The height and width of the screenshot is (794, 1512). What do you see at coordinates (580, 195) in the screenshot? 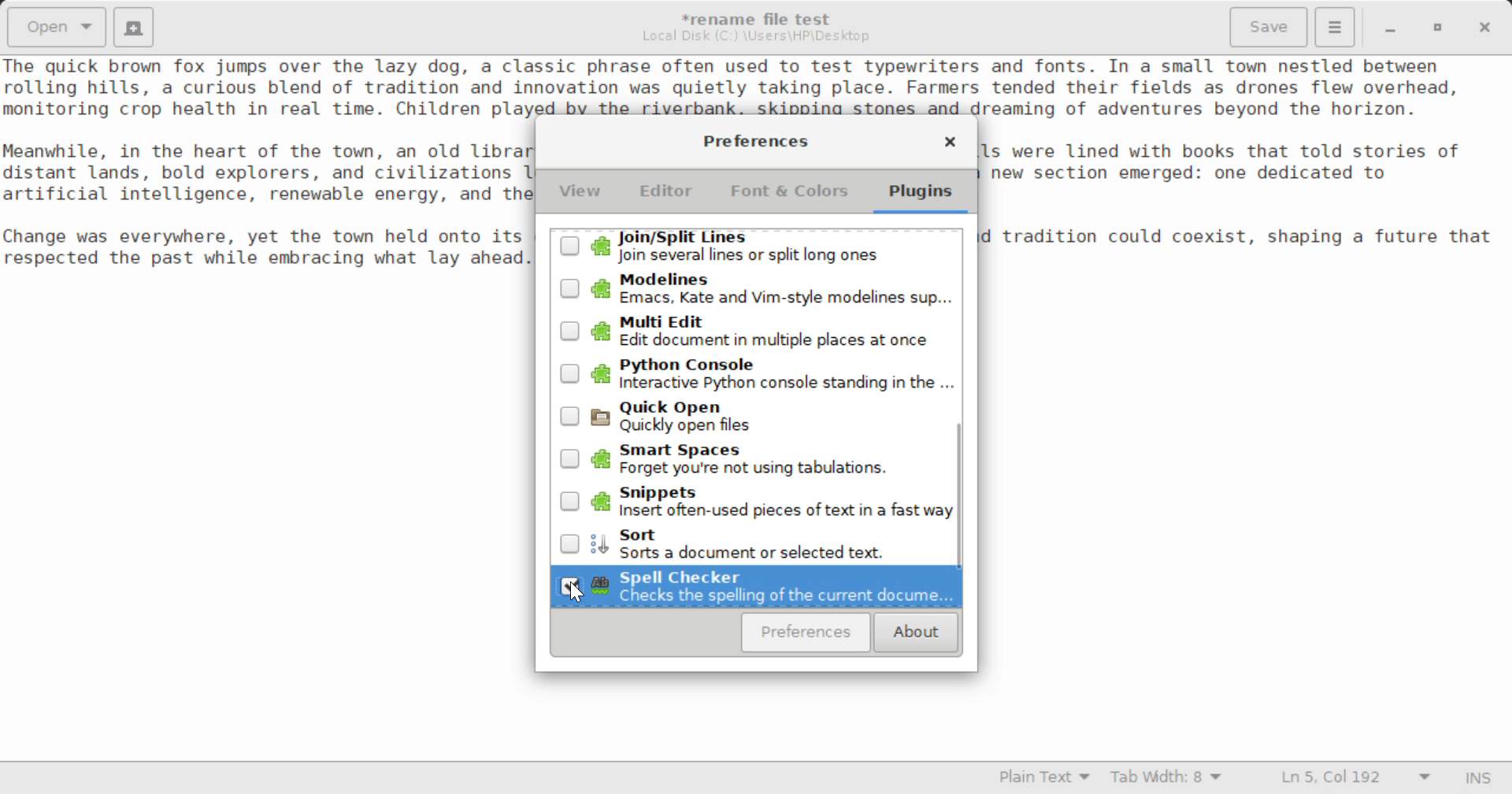
I see `View Tab` at bounding box center [580, 195].